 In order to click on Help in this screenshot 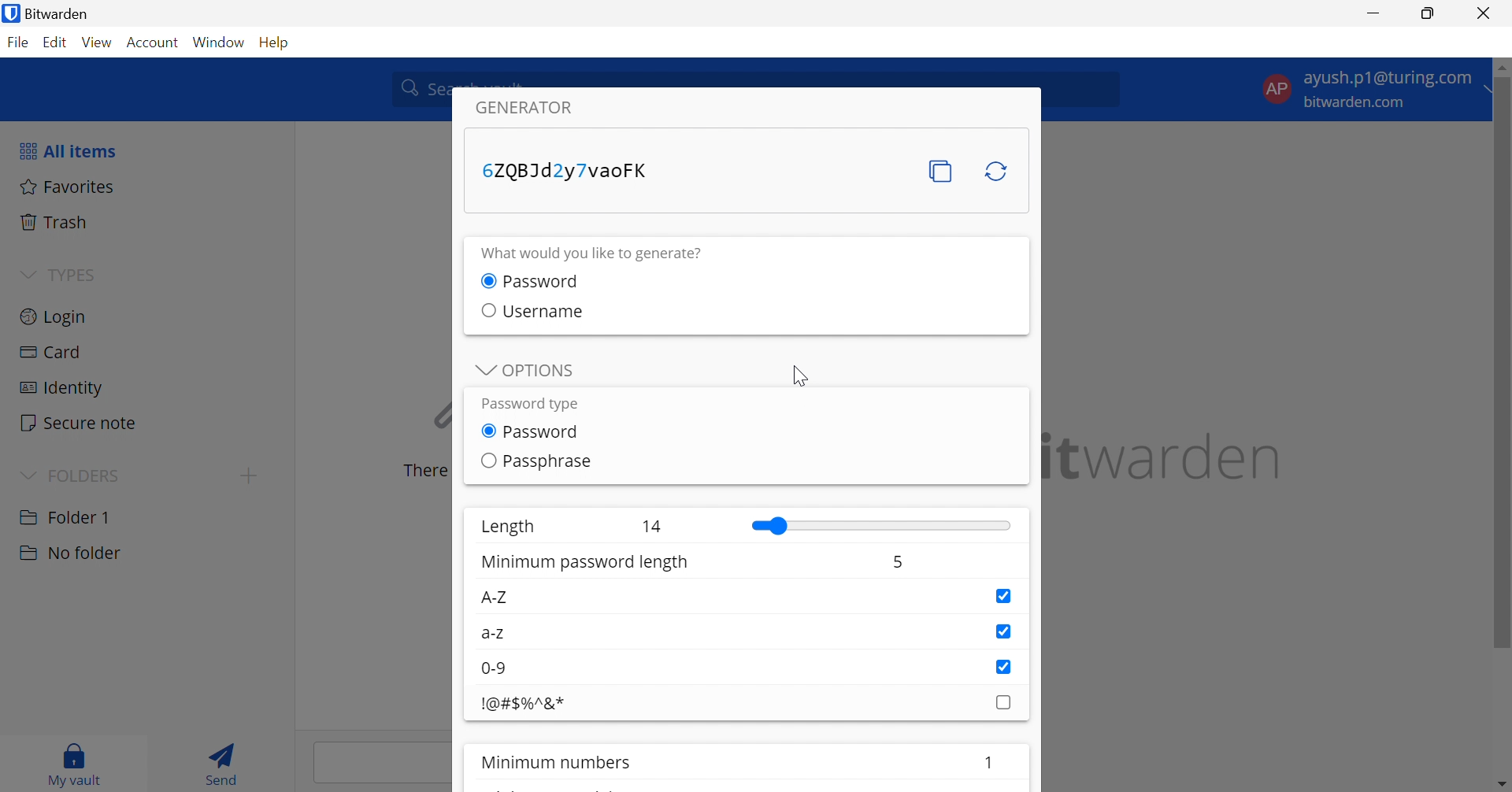, I will do `click(276, 43)`.